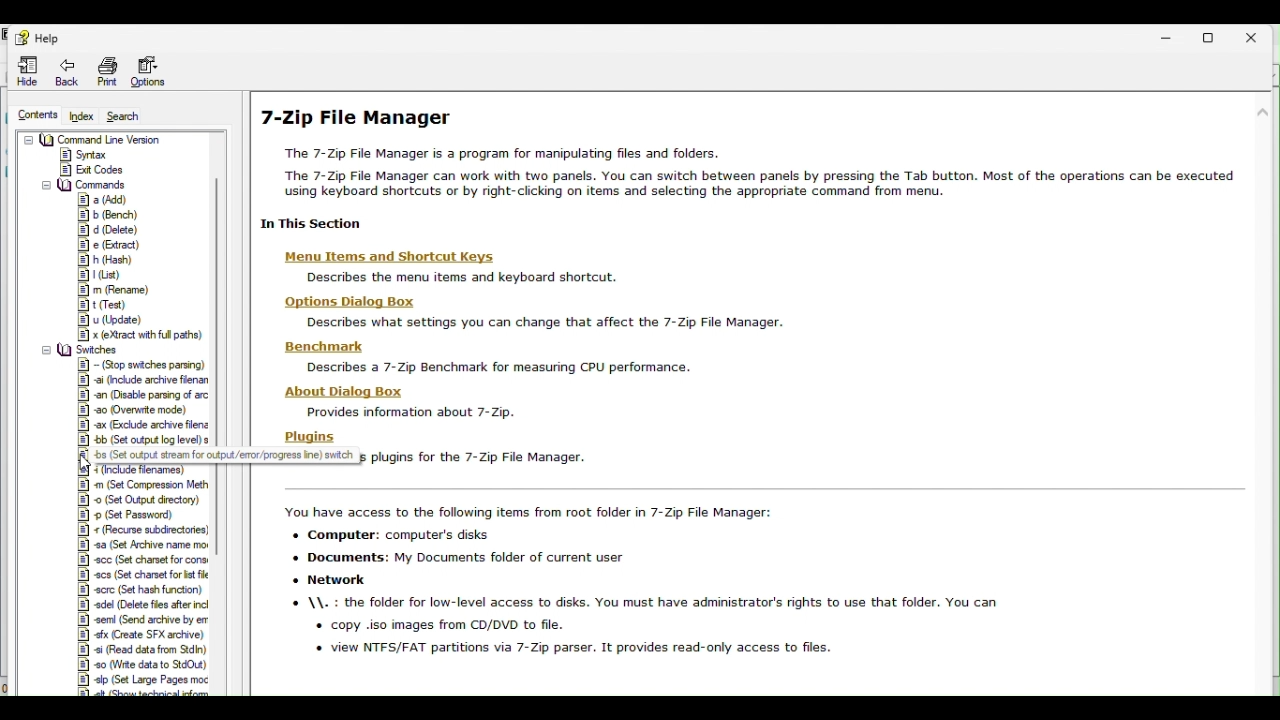 The image size is (1280, 720). What do you see at coordinates (481, 458) in the screenshot?
I see `Describes plugins for the 7-Zip File Manager.` at bounding box center [481, 458].